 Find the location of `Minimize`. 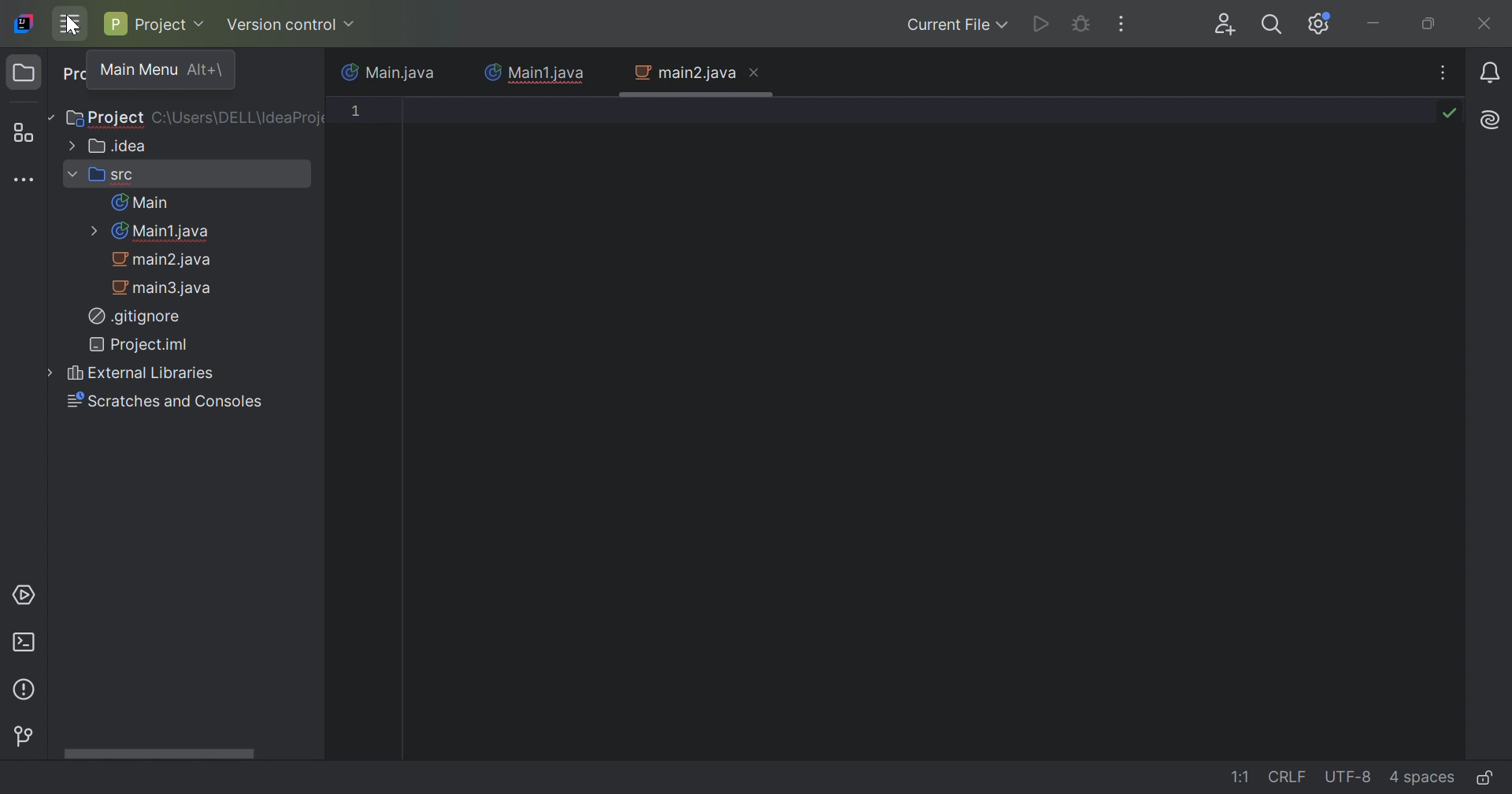

Minimize is located at coordinates (1374, 24).